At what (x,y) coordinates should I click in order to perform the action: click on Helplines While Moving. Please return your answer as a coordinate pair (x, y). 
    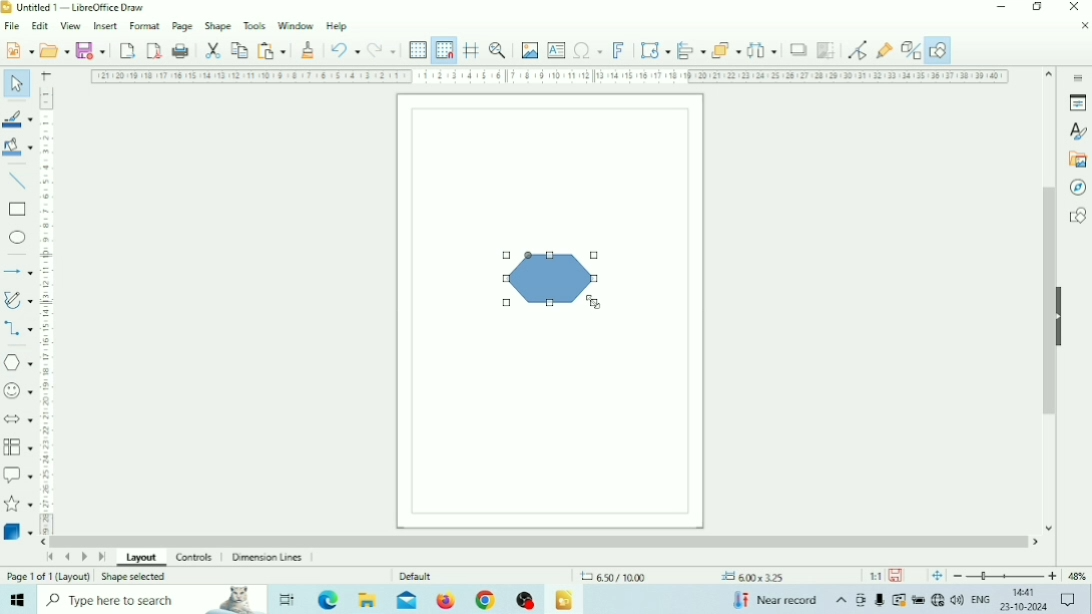
    Looking at the image, I should click on (472, 49).